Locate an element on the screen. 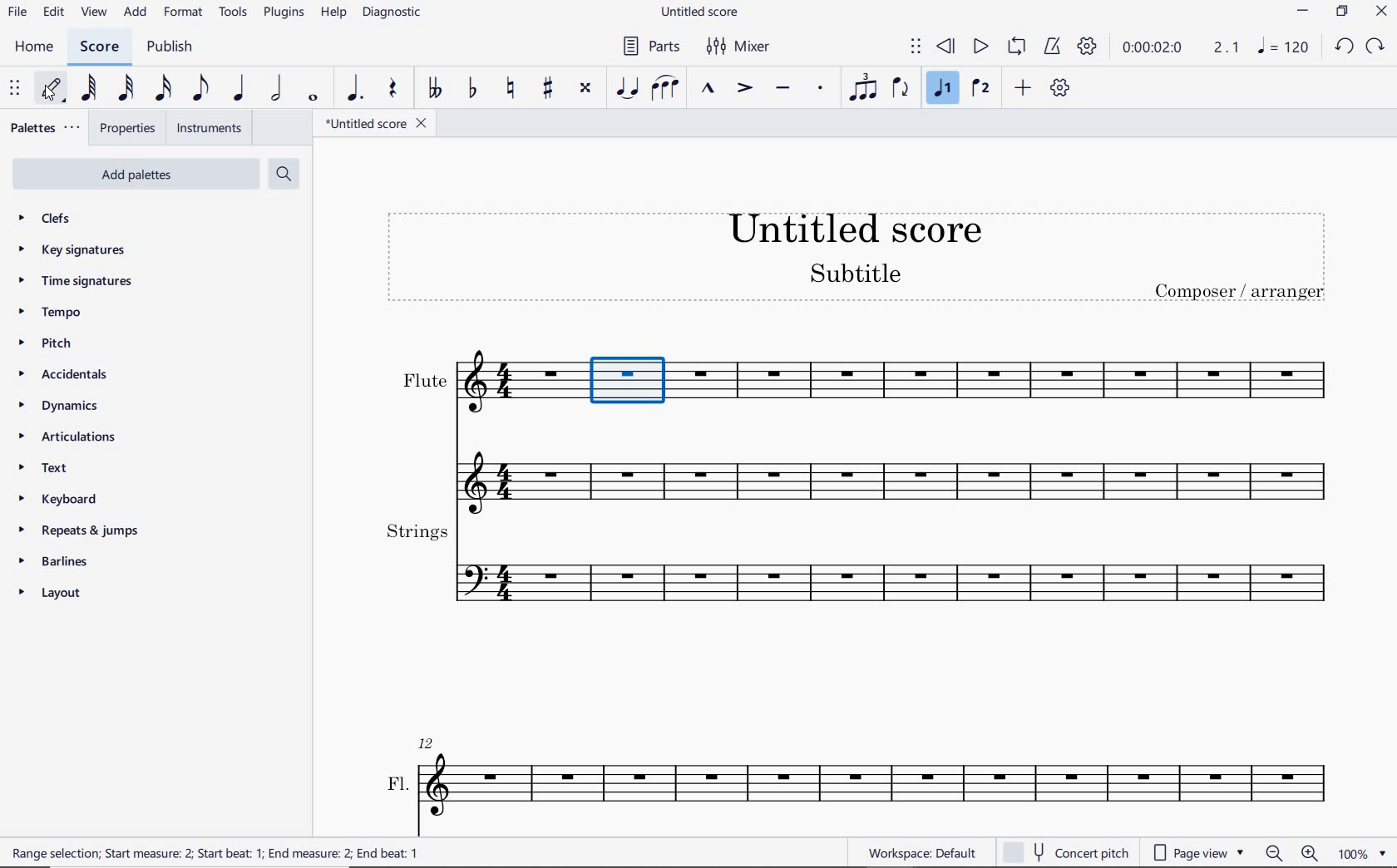 The height and width of the screenshot is (868, 1397). note is located at coordinates (1284, 50).